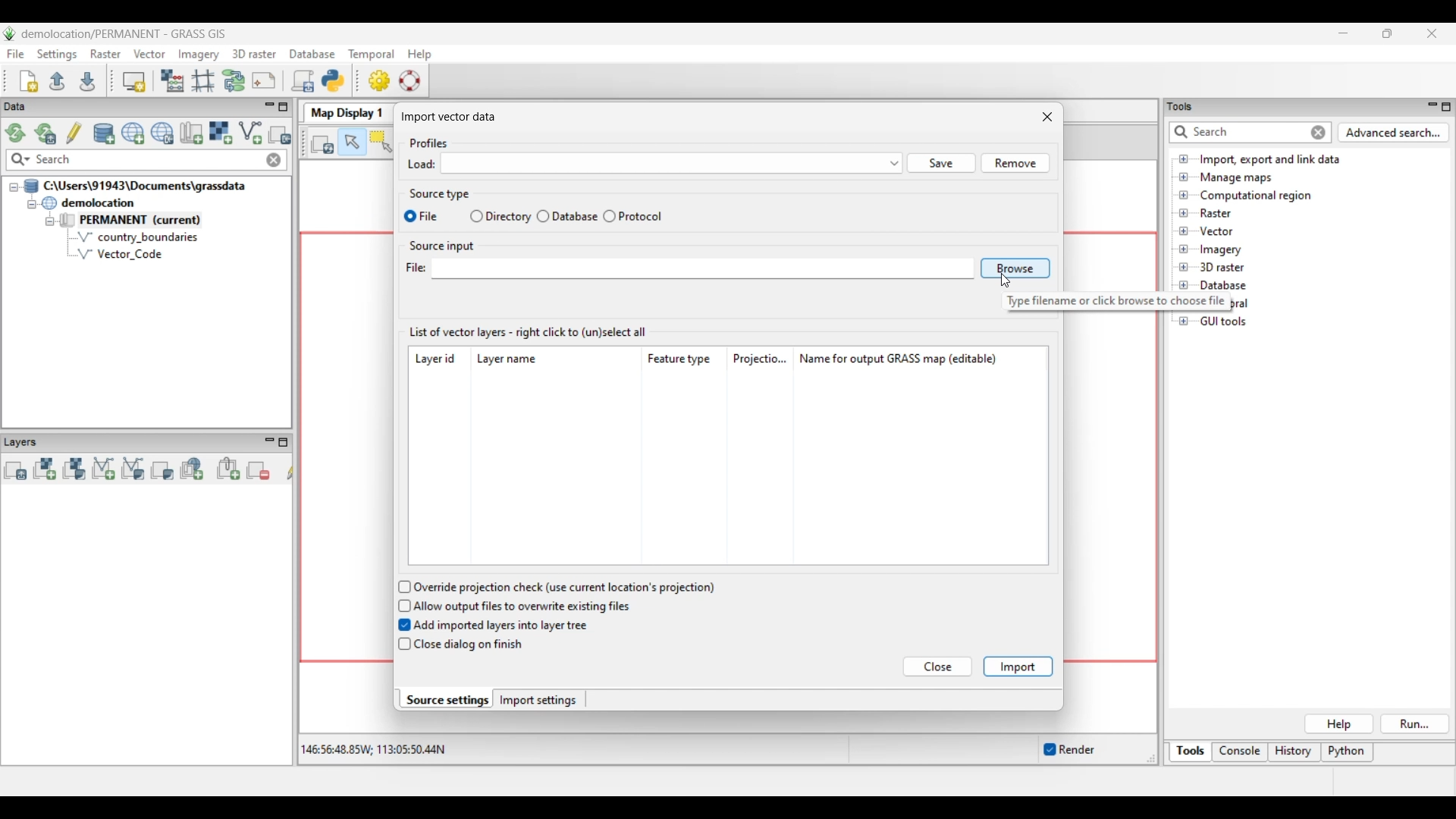 Image resolution: width=1456 pixels, height=819 pixels. Describe the element at coordinates (1184, 231) in the screenshot. I see `Click to open files under Vector` at that location.